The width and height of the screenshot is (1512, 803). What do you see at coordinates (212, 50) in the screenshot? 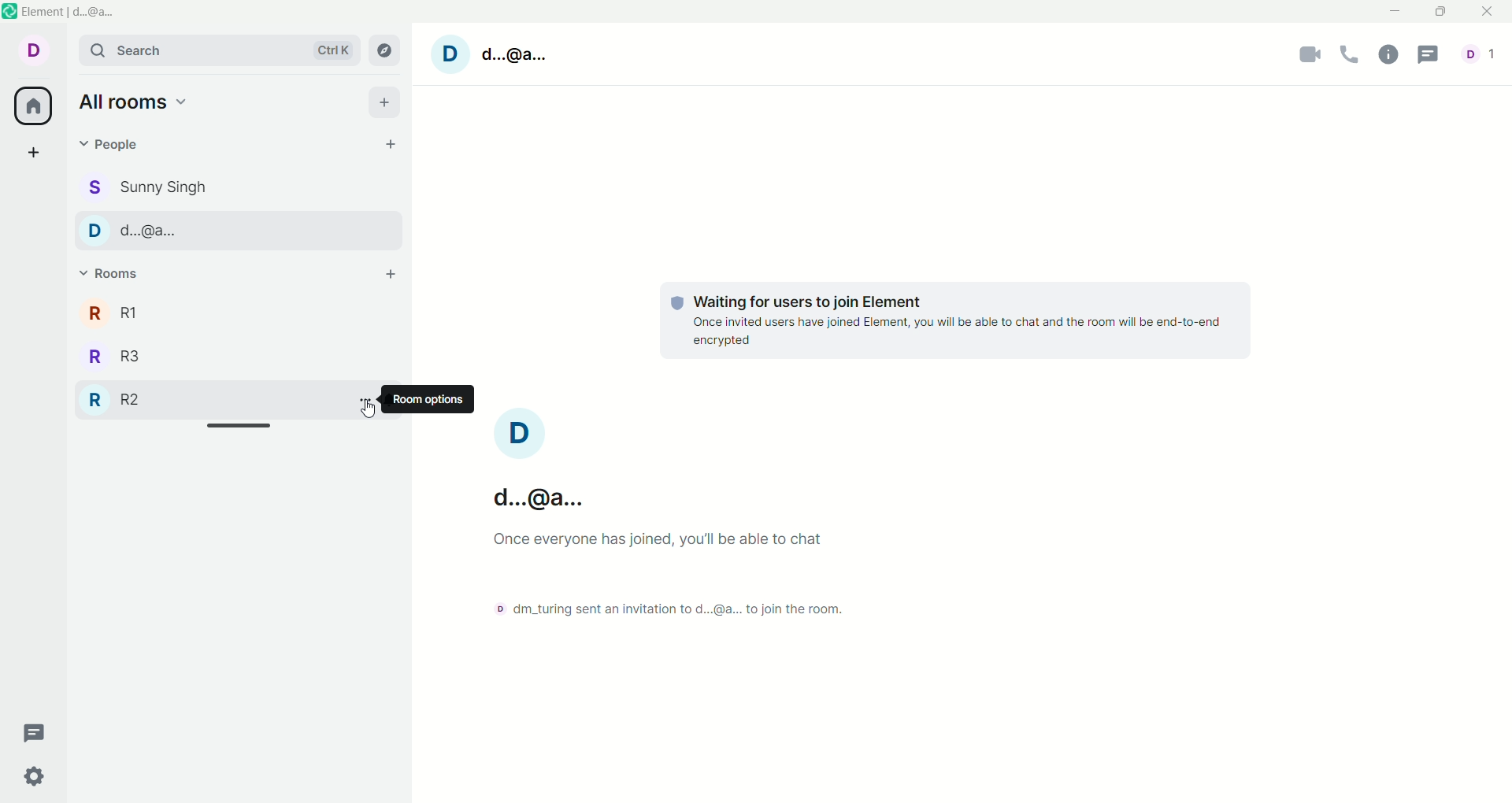
I see `search` at bounding box center [212, 50].